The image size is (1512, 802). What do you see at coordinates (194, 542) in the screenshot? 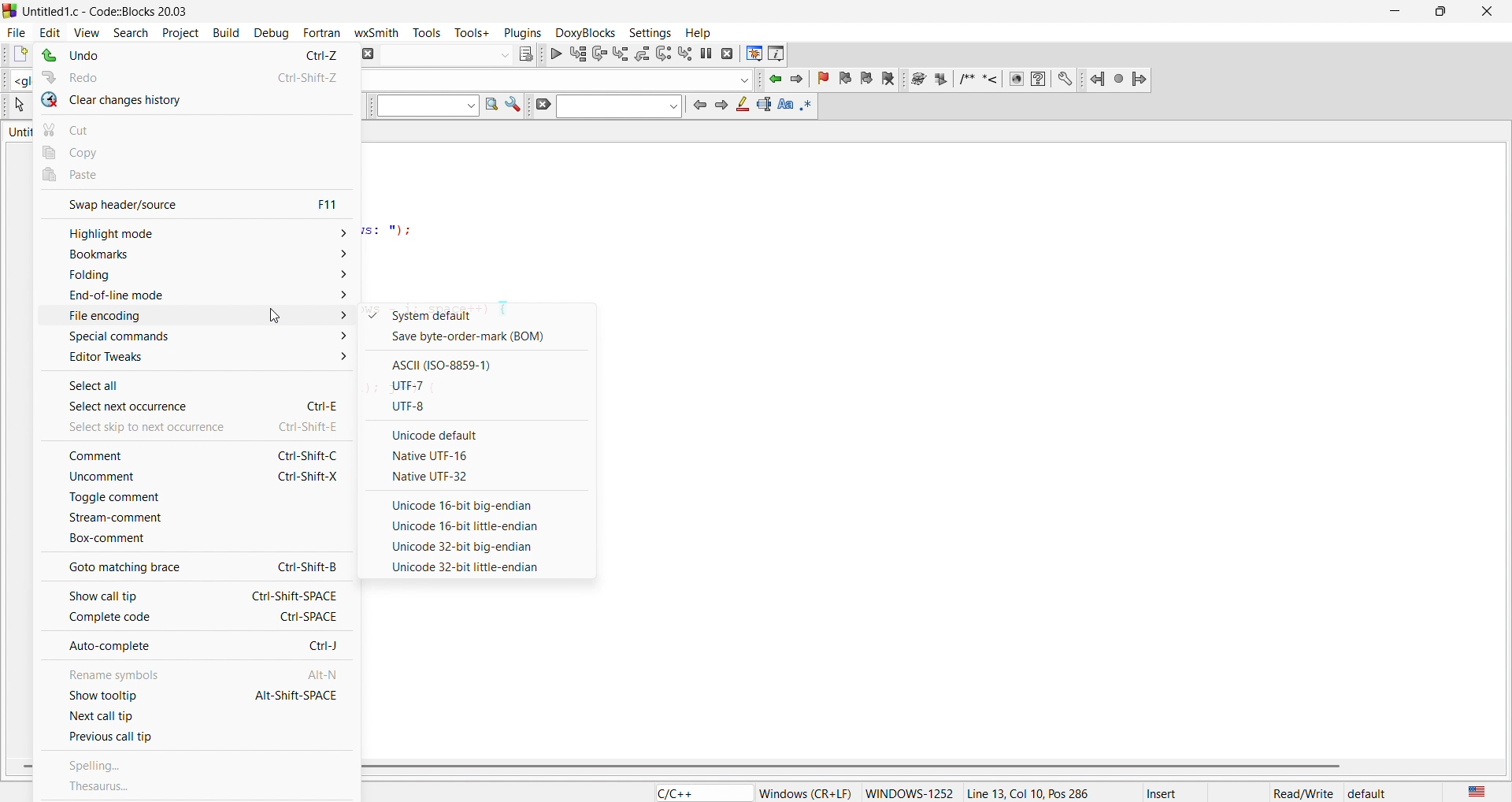
I see `box comment ` at bounding box center [194, 542].